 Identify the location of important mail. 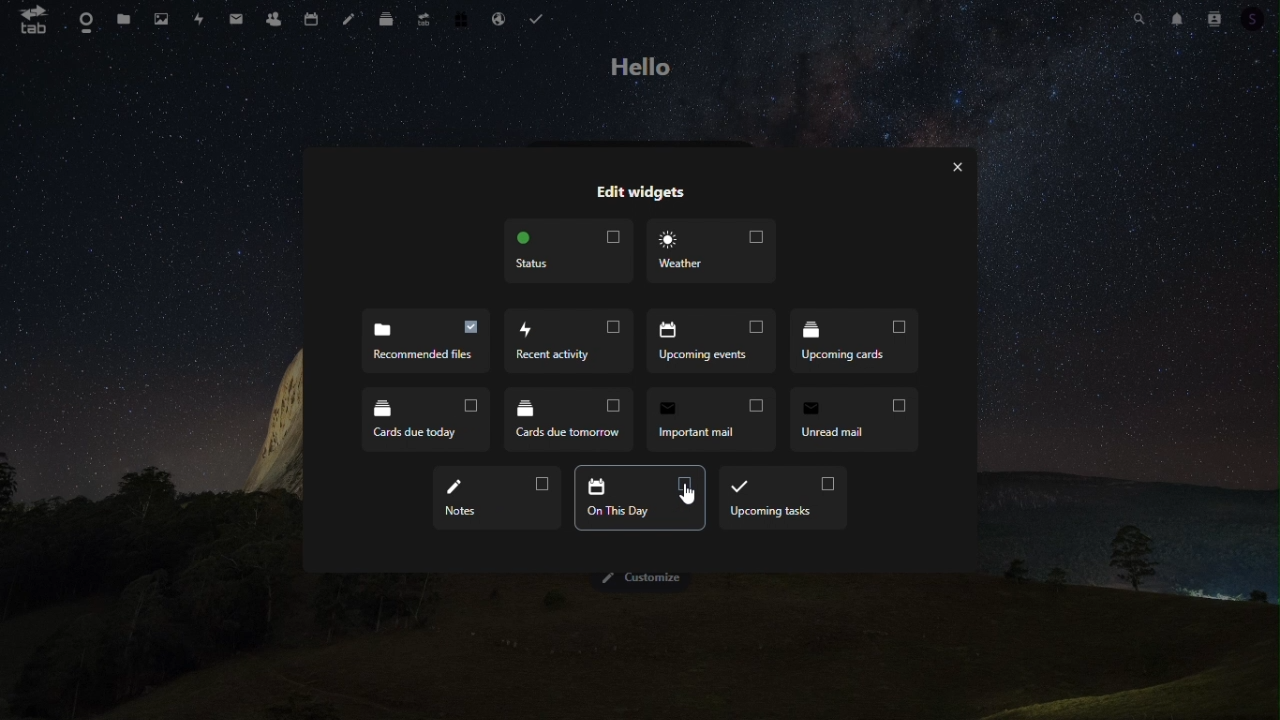
(568, 424).